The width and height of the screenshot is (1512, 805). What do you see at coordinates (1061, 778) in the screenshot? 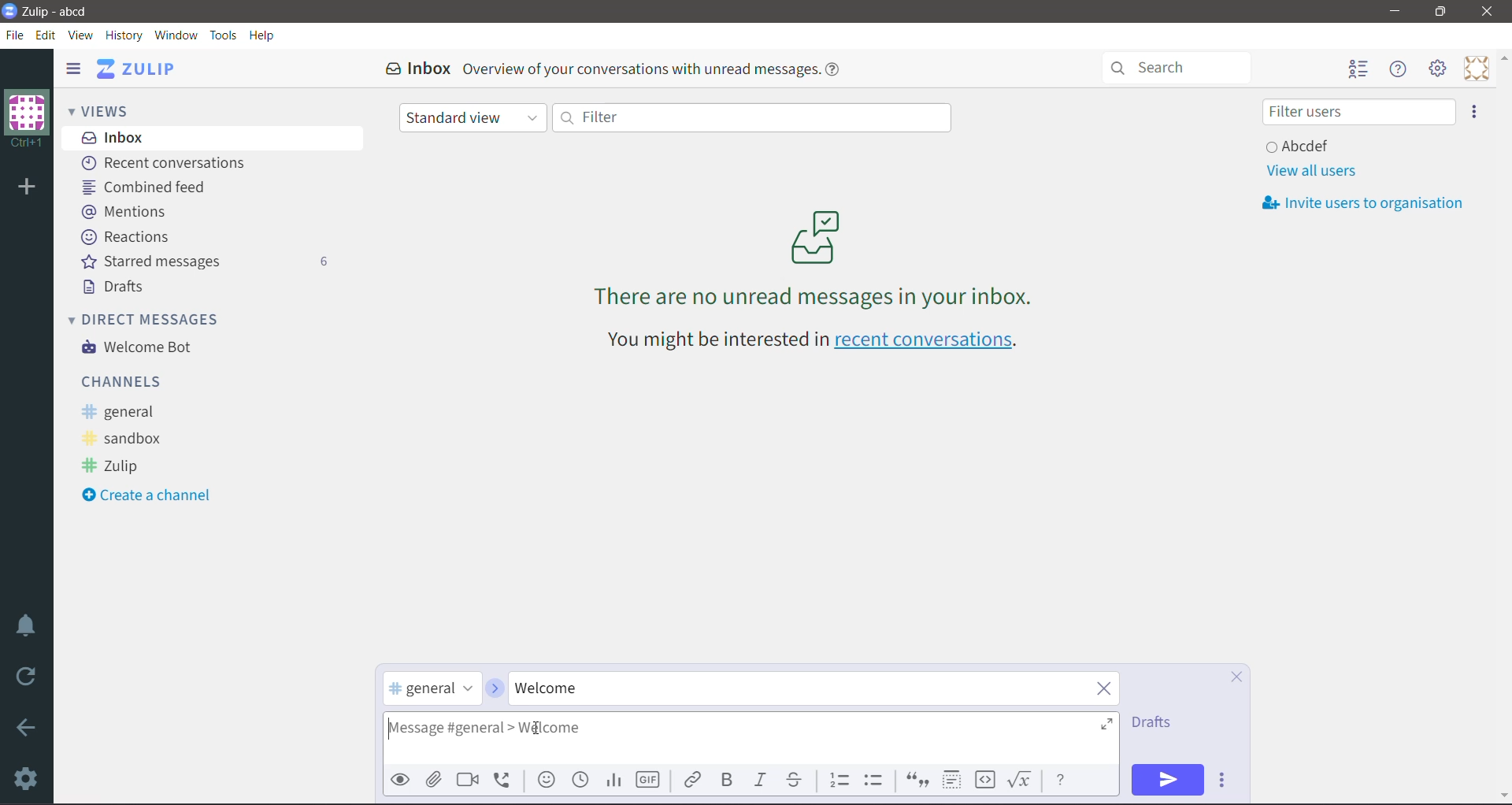
I see `Message Formatting` at bounding box center [1061, 778].